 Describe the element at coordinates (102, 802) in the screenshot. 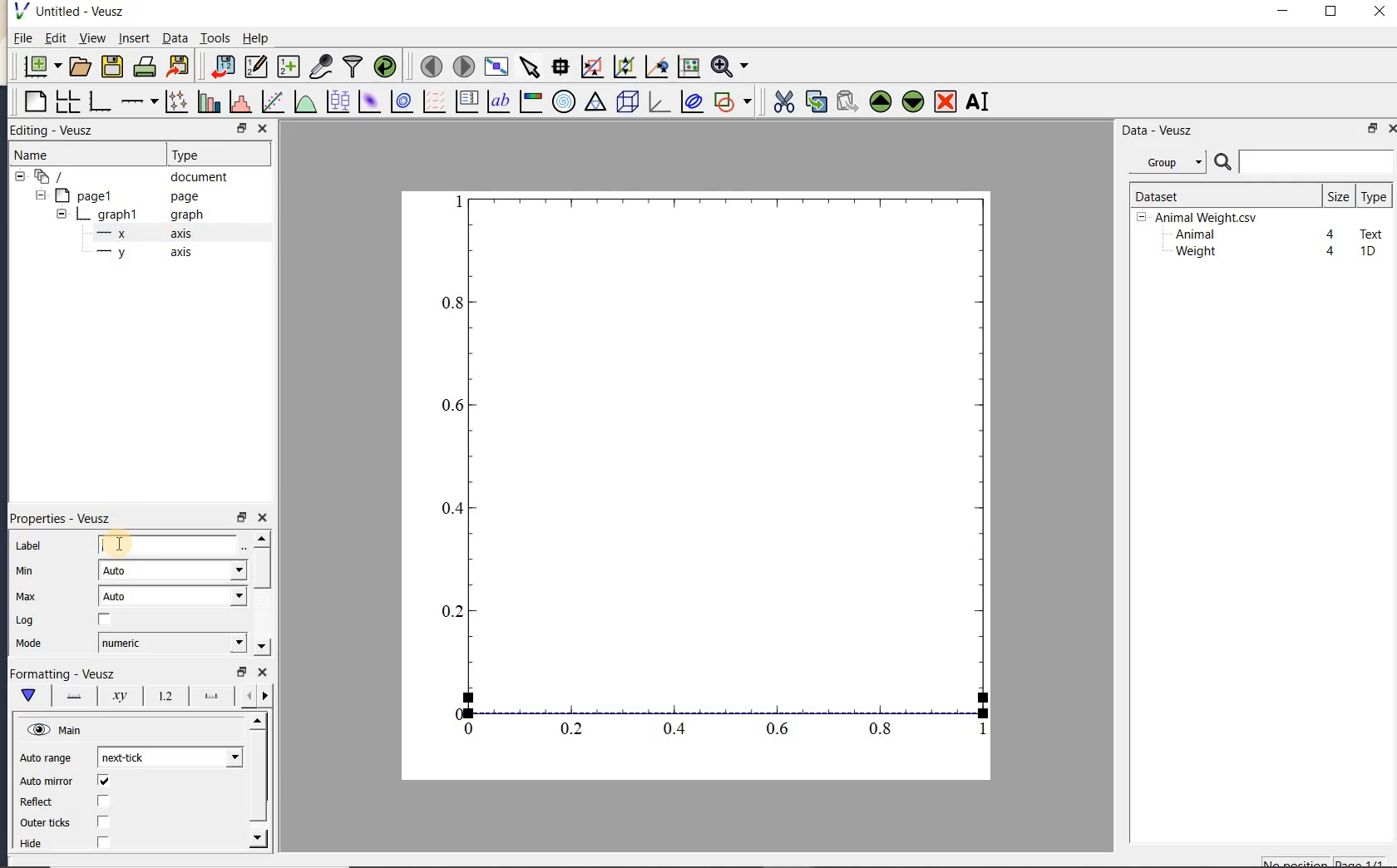

I see `check/uncheck` at that location.